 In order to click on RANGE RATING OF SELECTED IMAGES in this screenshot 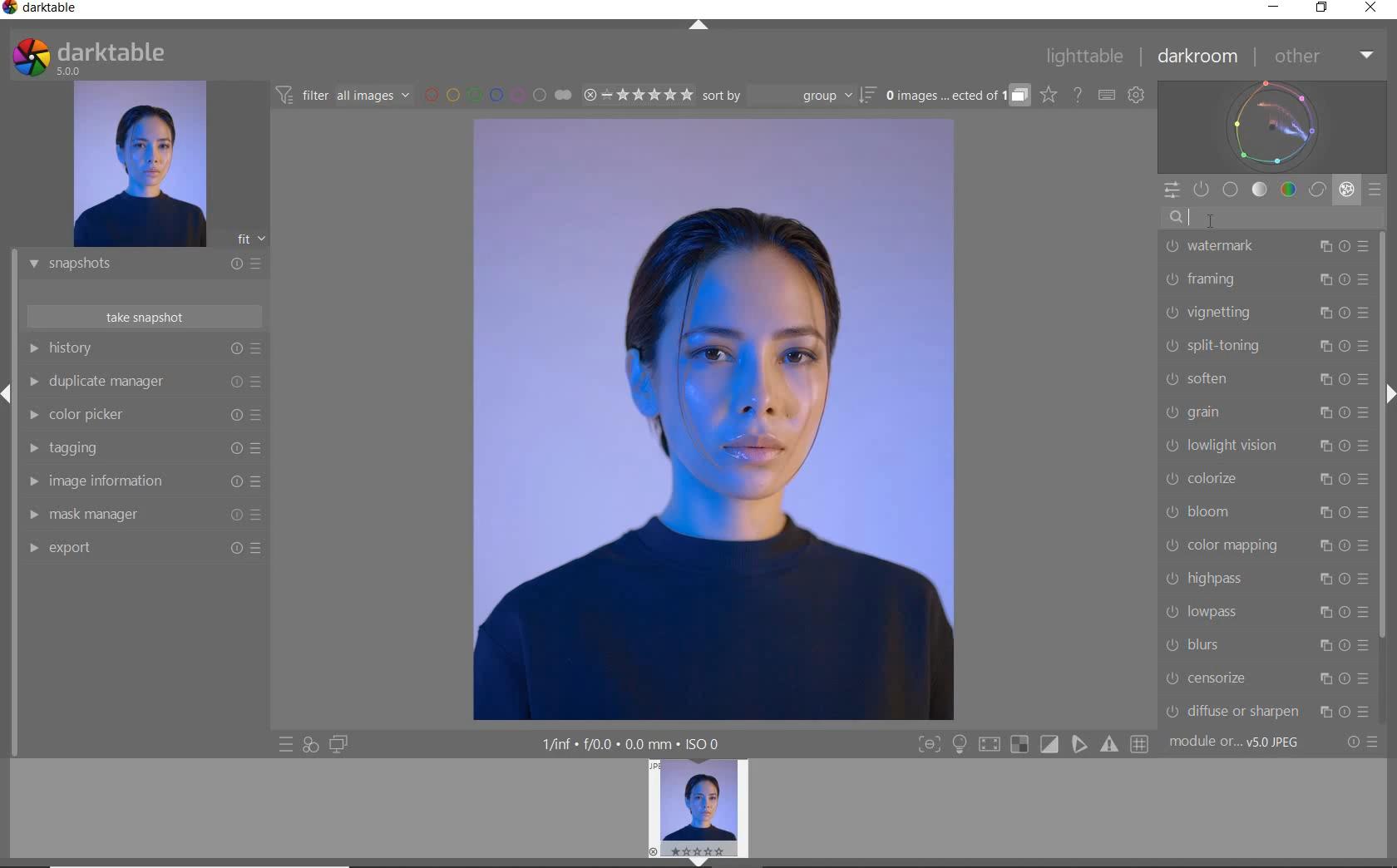, I will do `click(637, 94)`.